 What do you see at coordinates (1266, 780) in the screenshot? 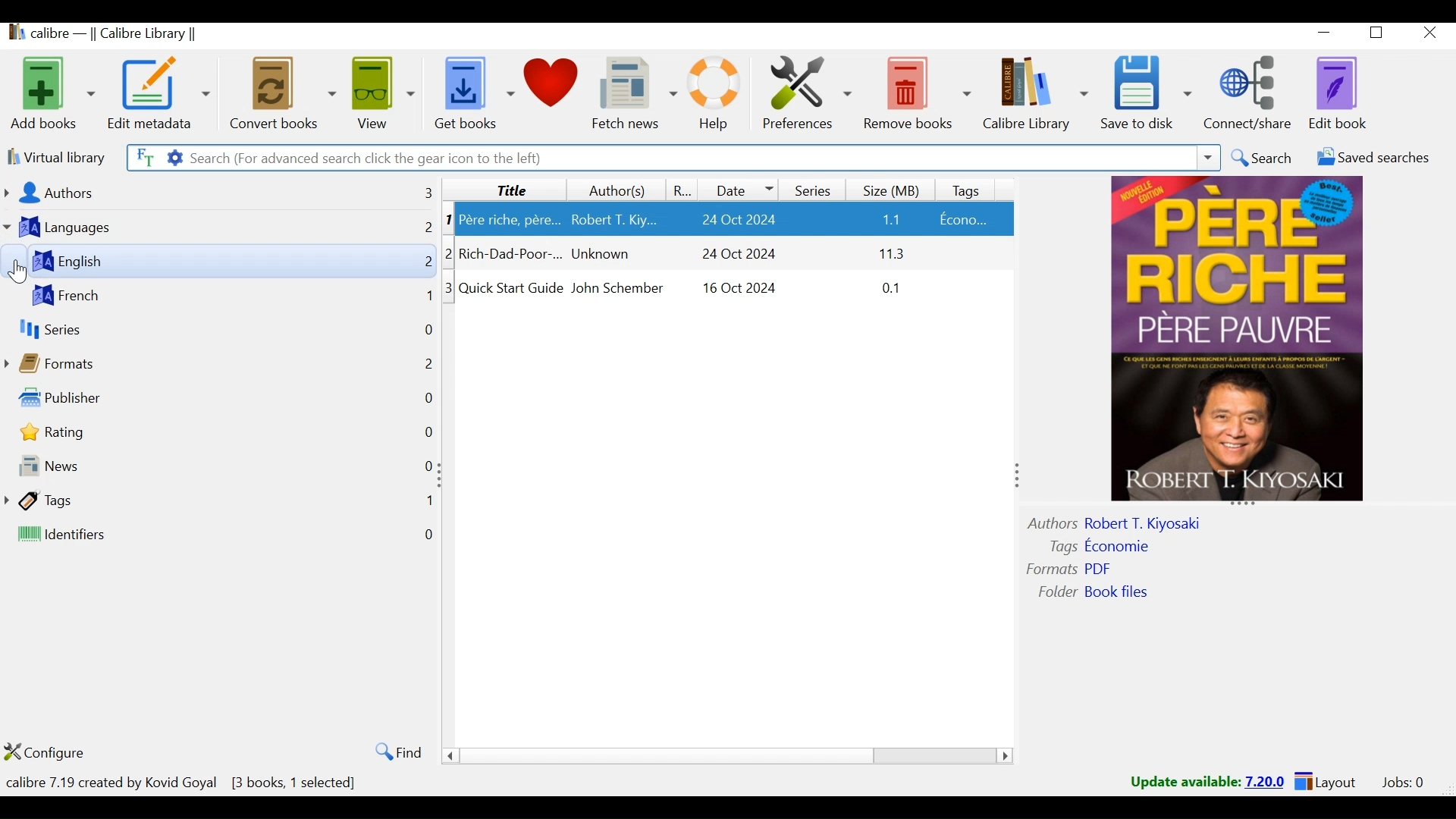
I see `7.20.0` at bounding box center [1266, 780].